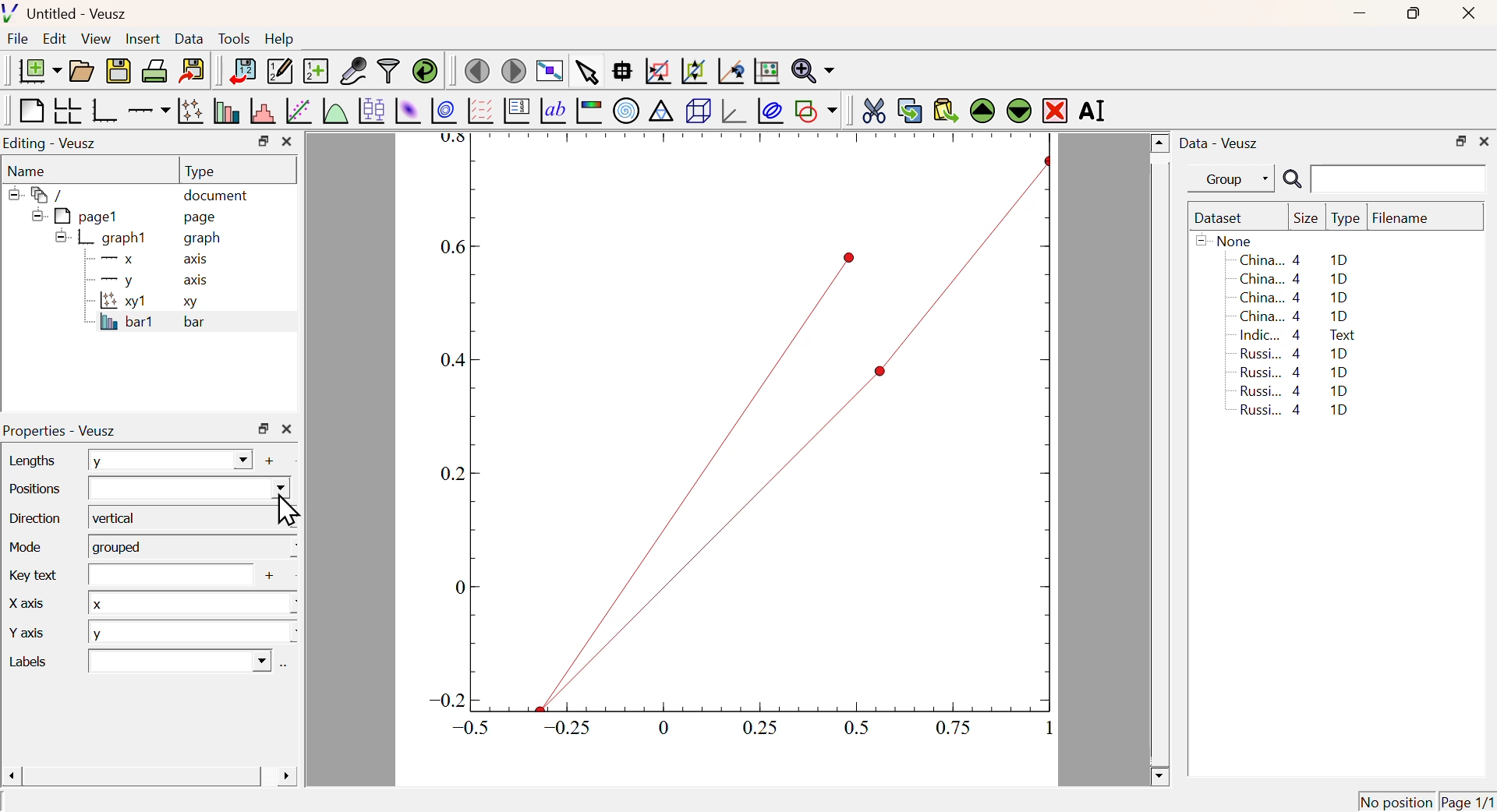  What do you see at coordinates (270, 461) in the screenshot?
I see `Add` at bounding box center [270, 461].